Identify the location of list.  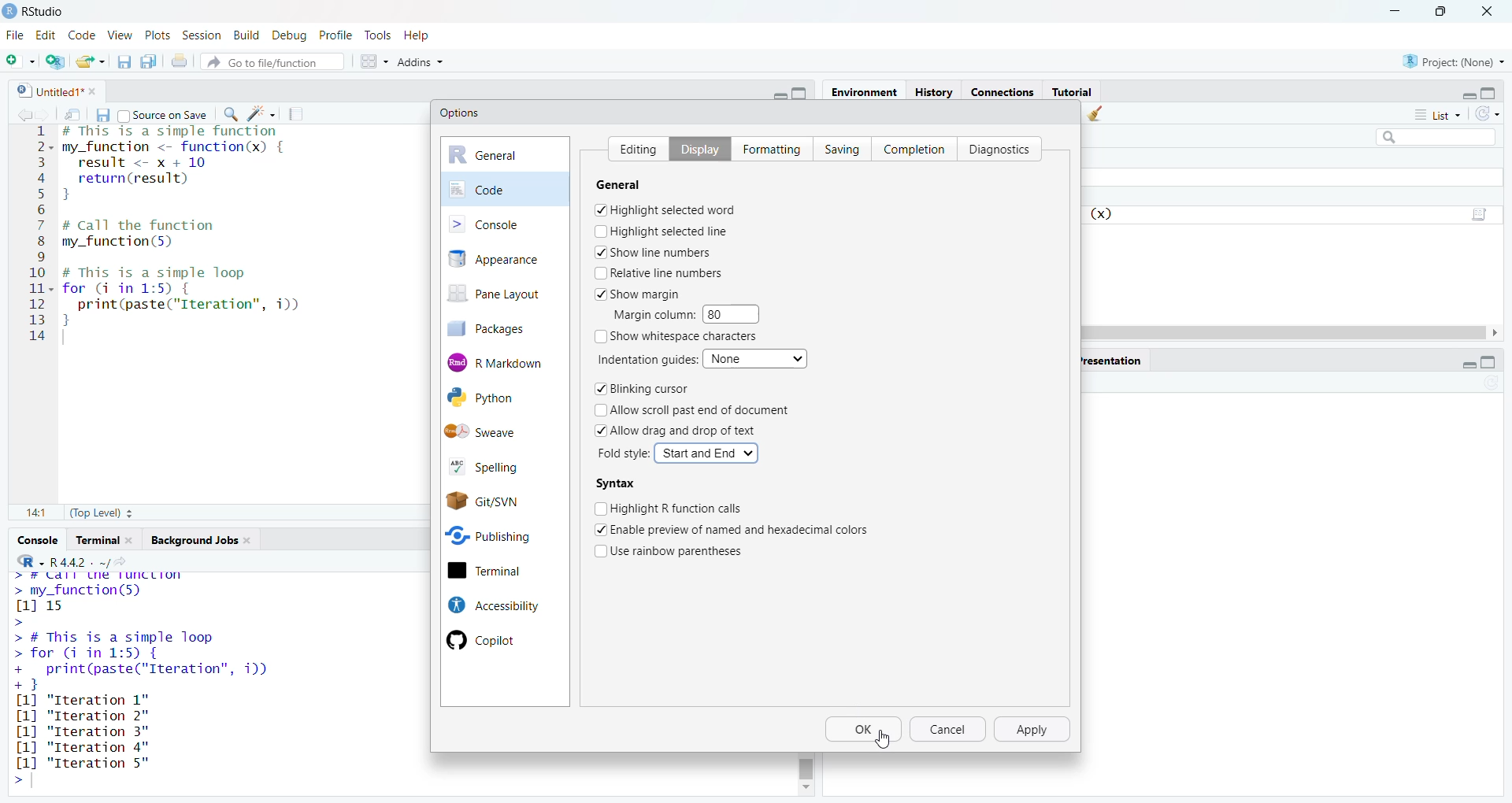
(1436, 117).